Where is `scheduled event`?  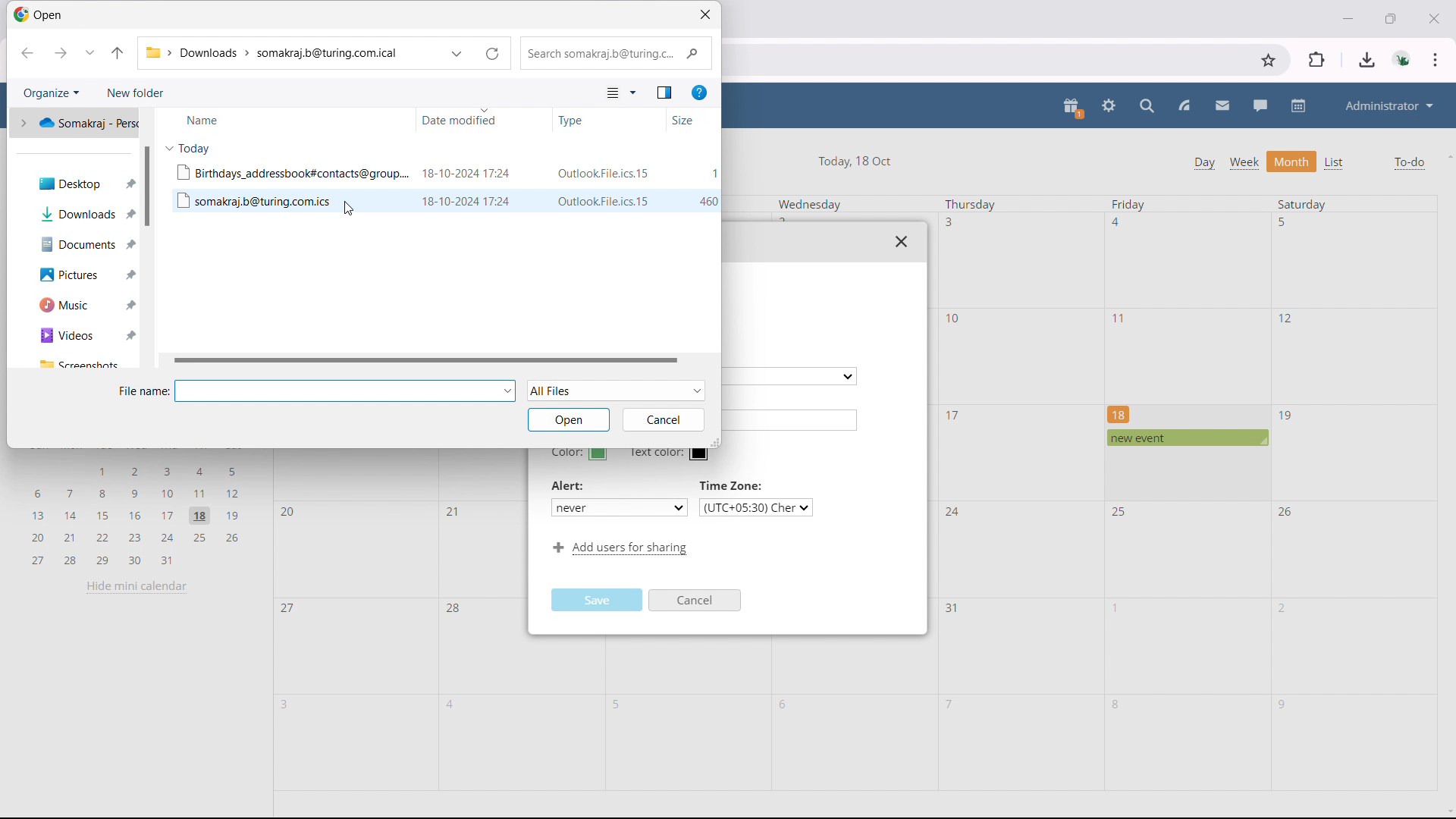 scheduled event is located at coordinates (1186, 438).